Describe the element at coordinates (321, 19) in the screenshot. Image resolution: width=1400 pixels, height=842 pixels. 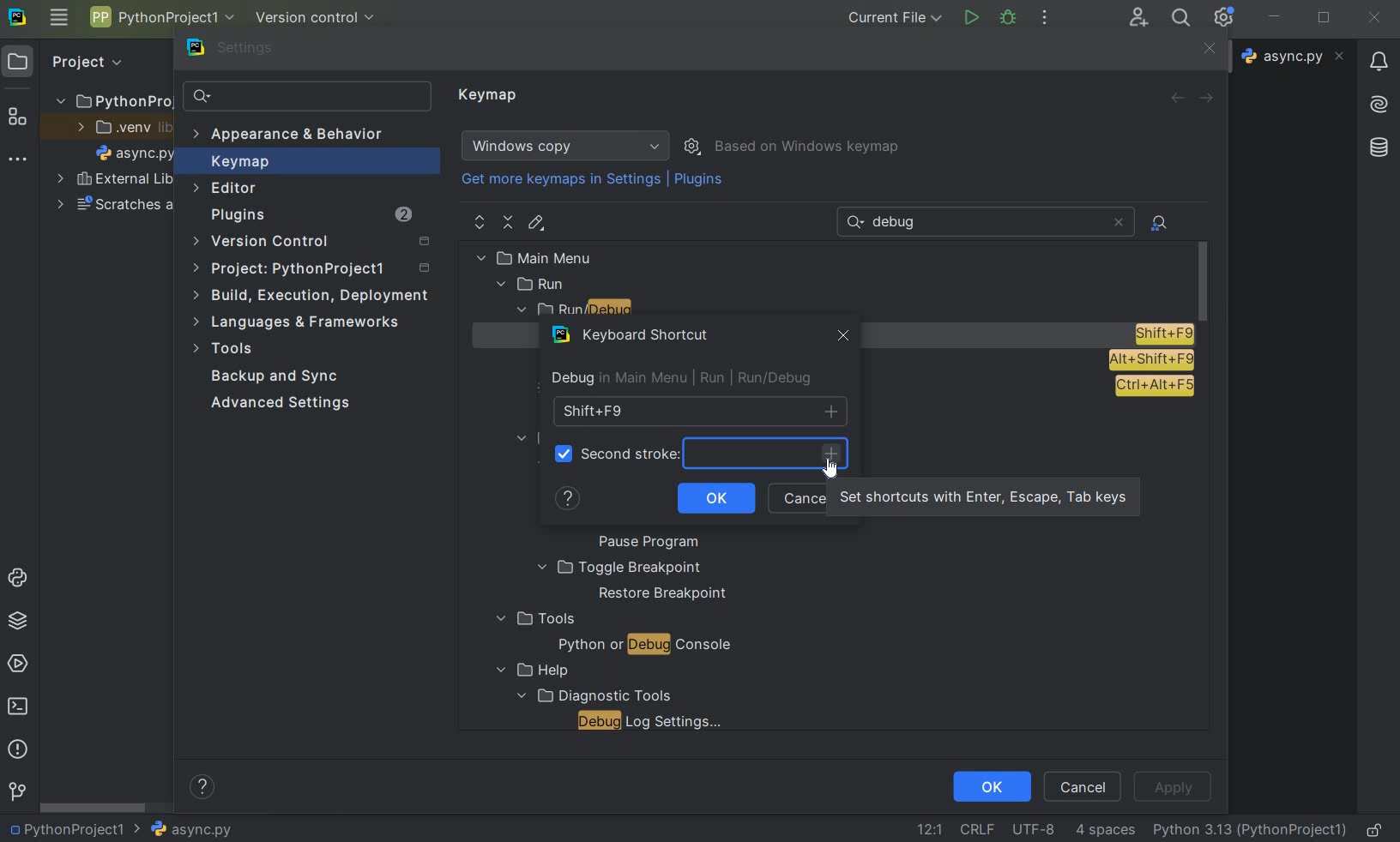
I see `version control` at that location.